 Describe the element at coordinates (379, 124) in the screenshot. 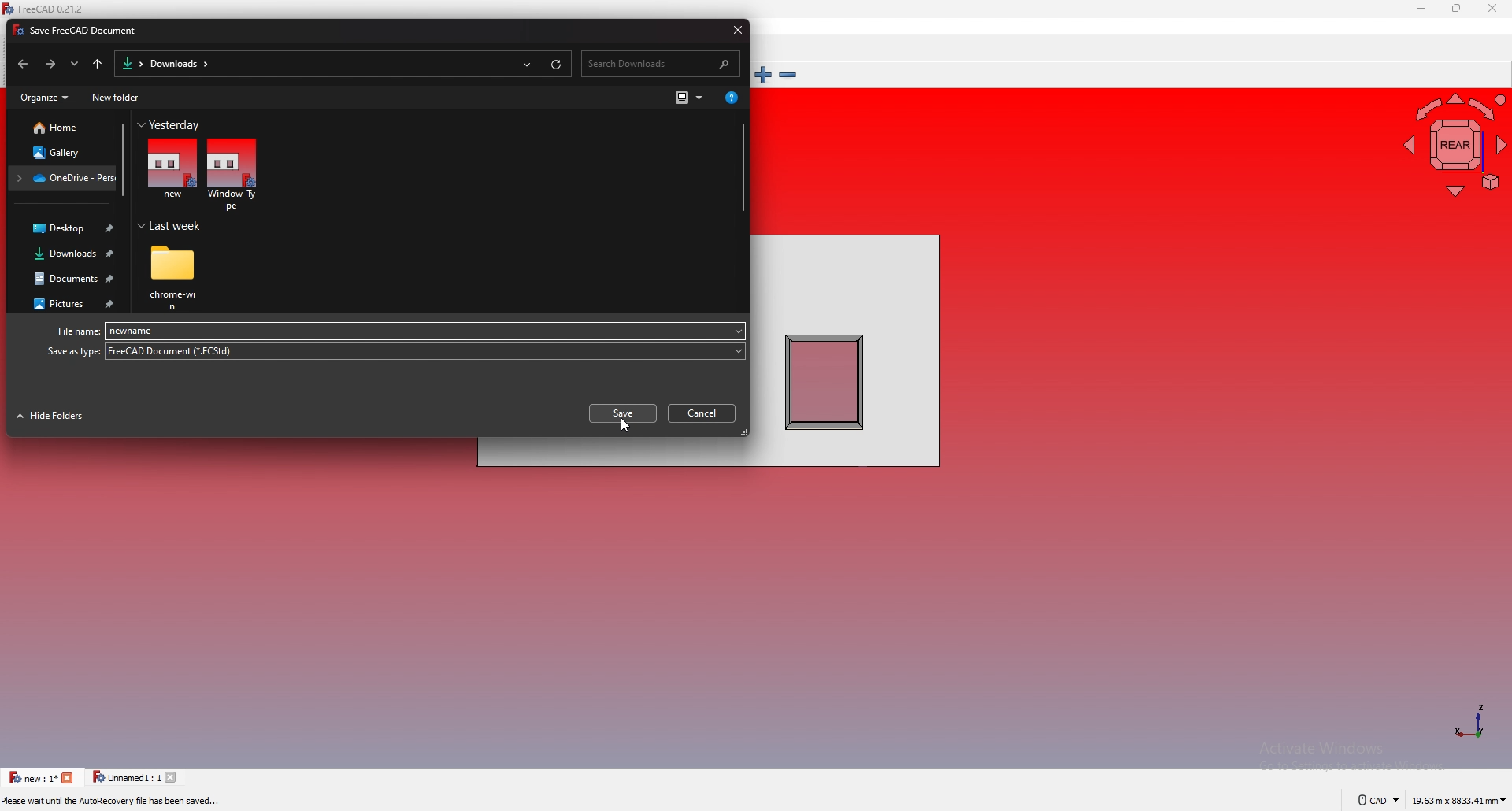

I see `Yesterday` at that location.